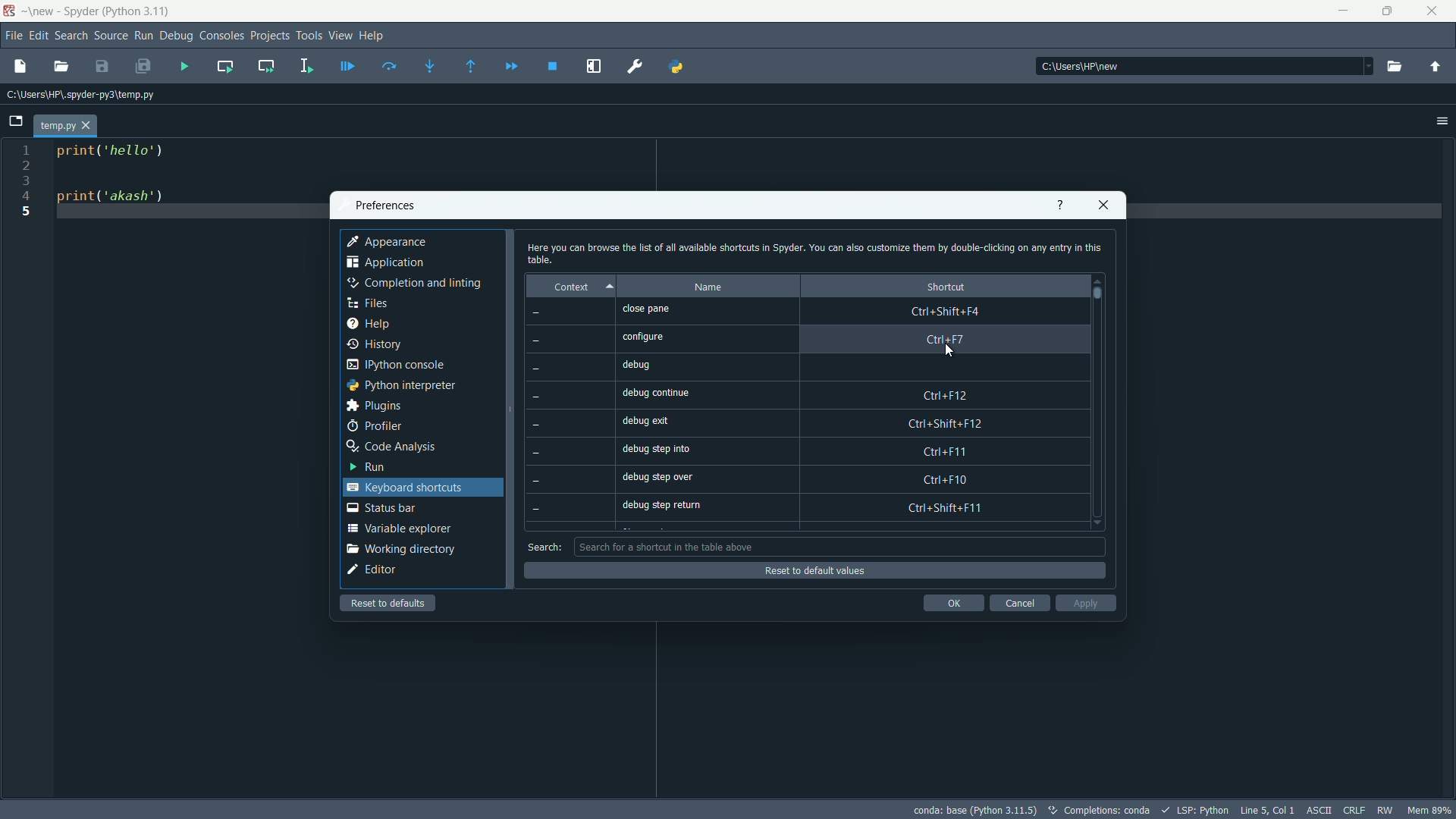 This screenshot has height=819, width=1456. Describe the element at coordinates (347, 67) in the screenshot. I see `debug file` at that location.